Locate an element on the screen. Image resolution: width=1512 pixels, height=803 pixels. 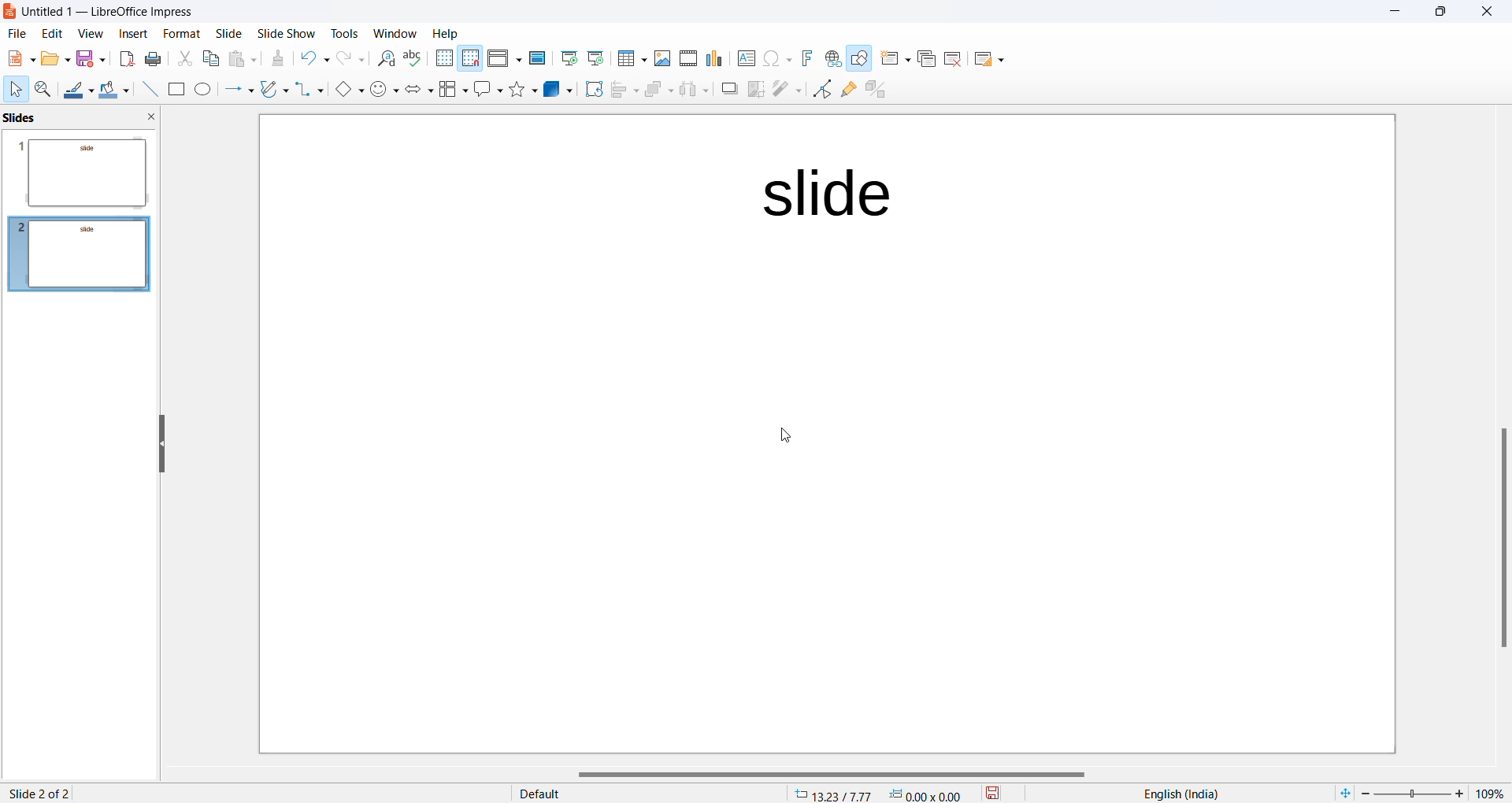
cursor is located at coordinates (791, 439).